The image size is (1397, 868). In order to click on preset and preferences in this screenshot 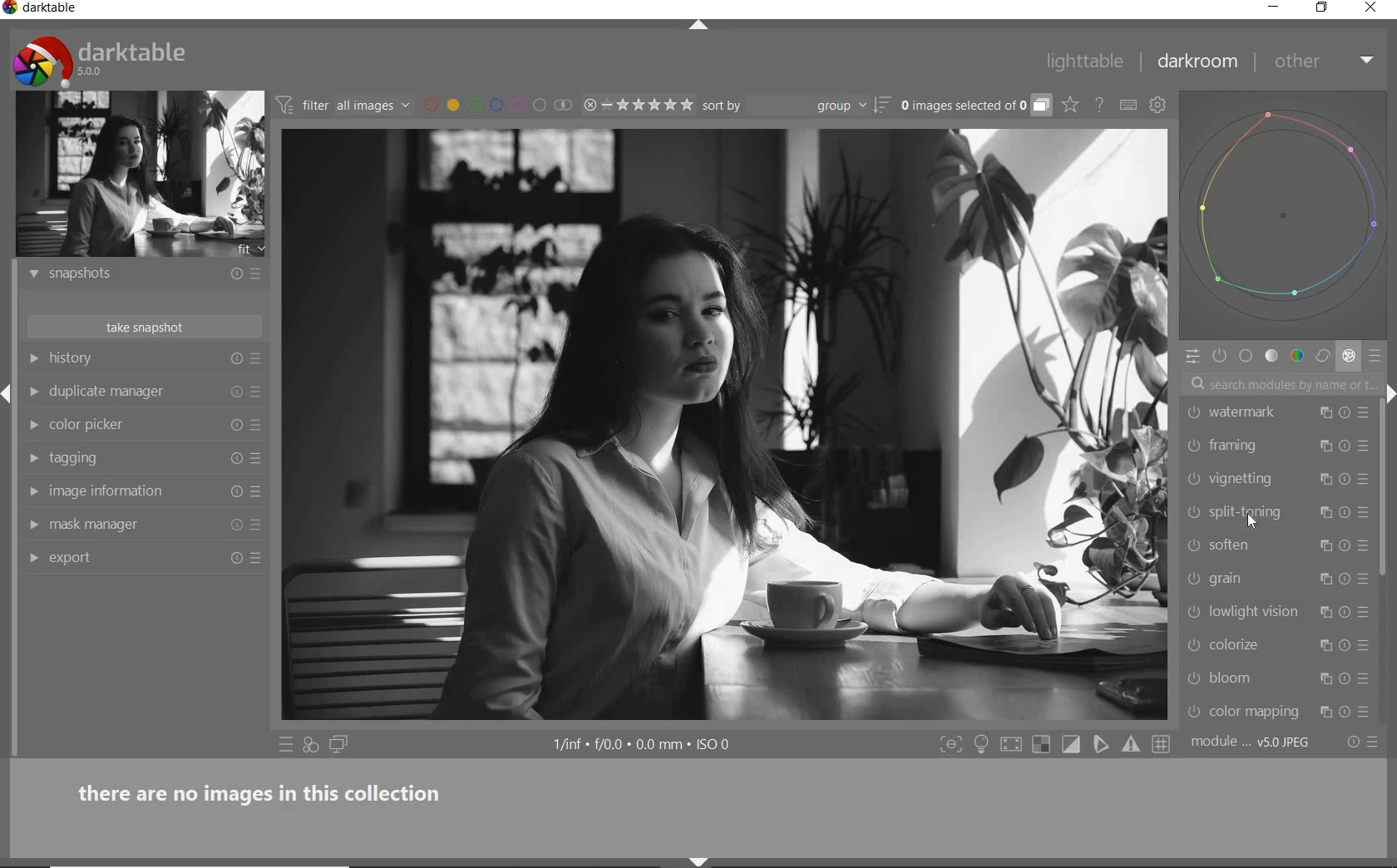, I will do `click(1366, 645)`.